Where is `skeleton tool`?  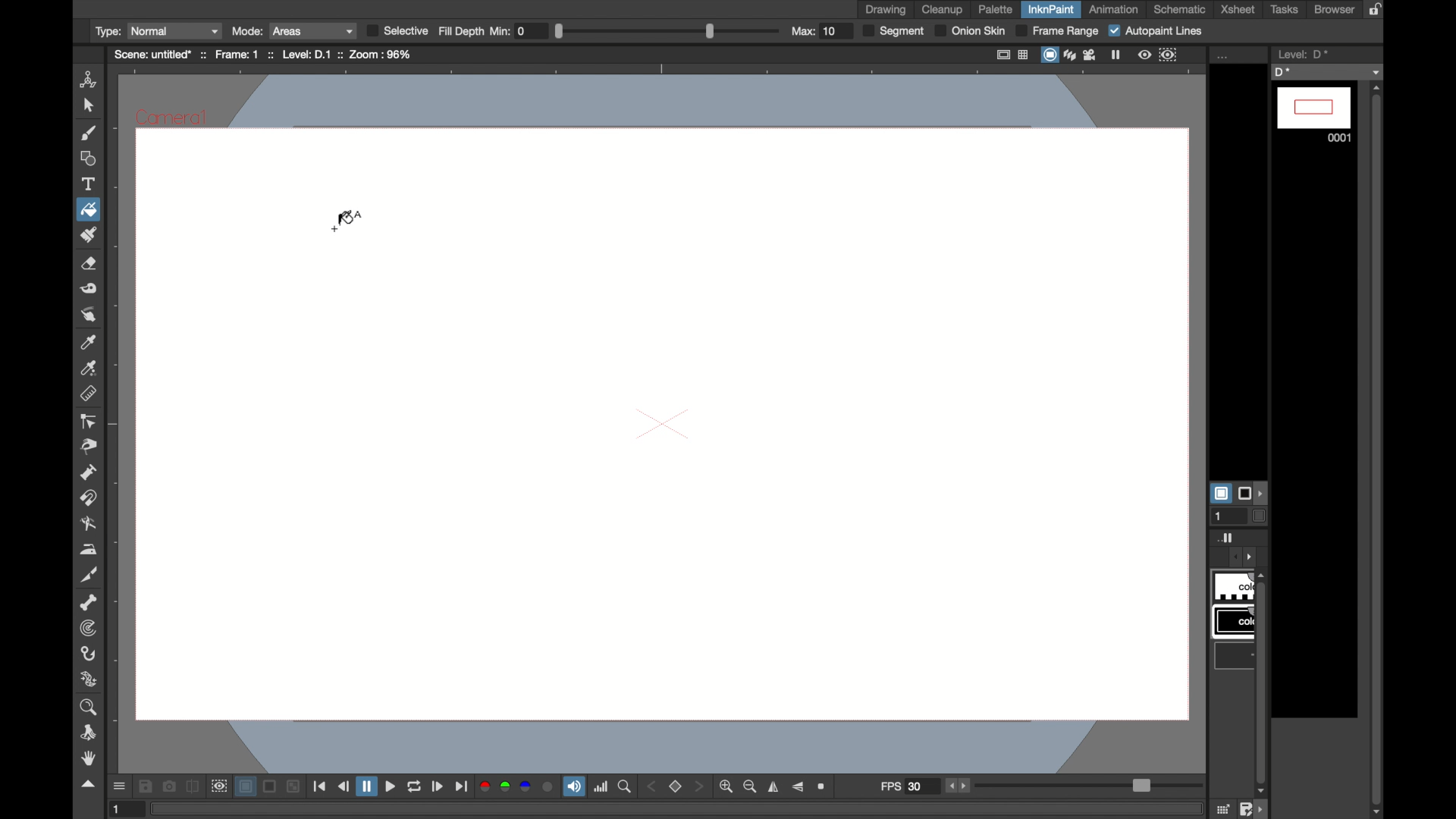 skeleton tool is located at coordinates (88, 603).